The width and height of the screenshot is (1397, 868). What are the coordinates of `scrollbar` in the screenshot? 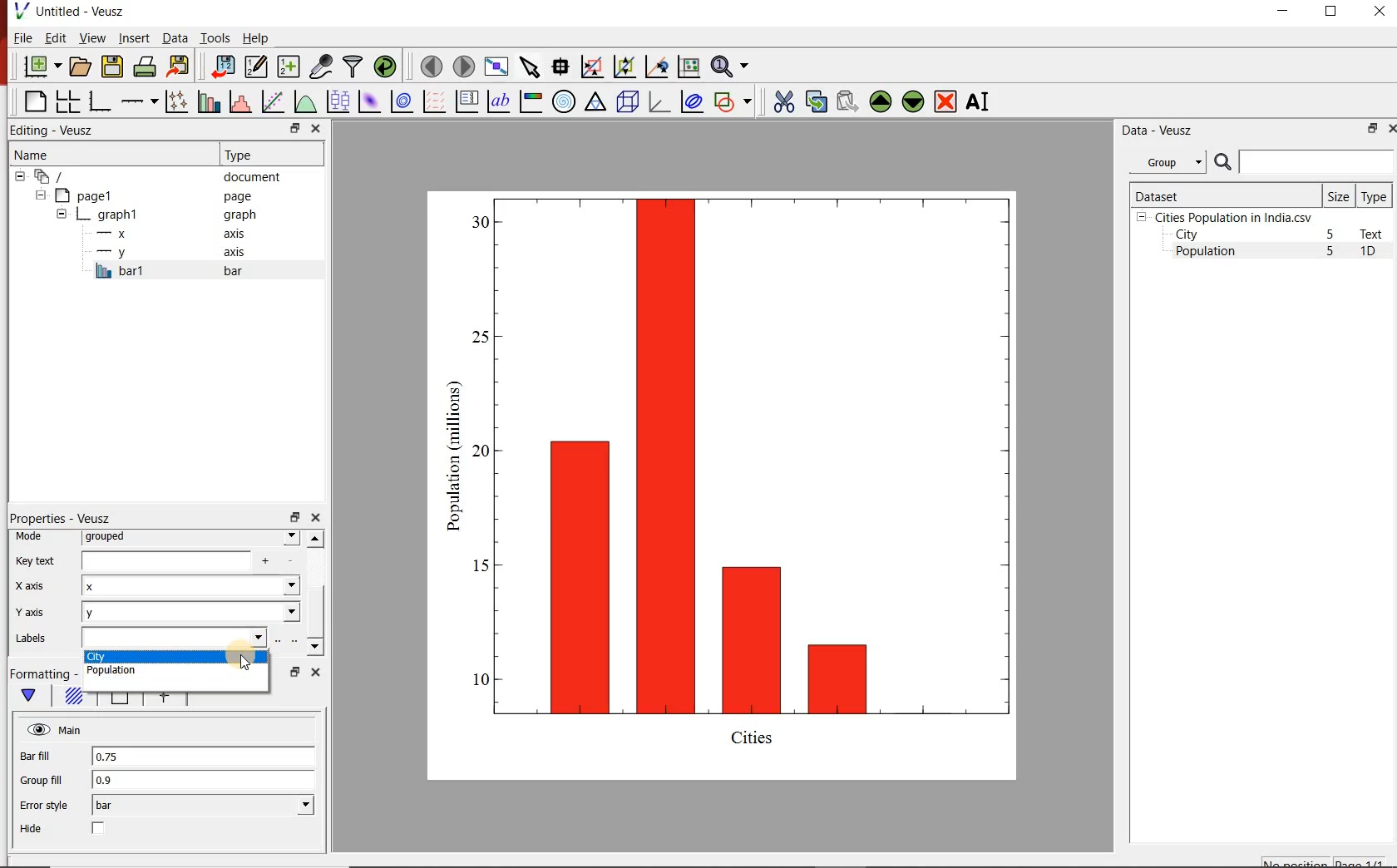 It's located at (315, 594).